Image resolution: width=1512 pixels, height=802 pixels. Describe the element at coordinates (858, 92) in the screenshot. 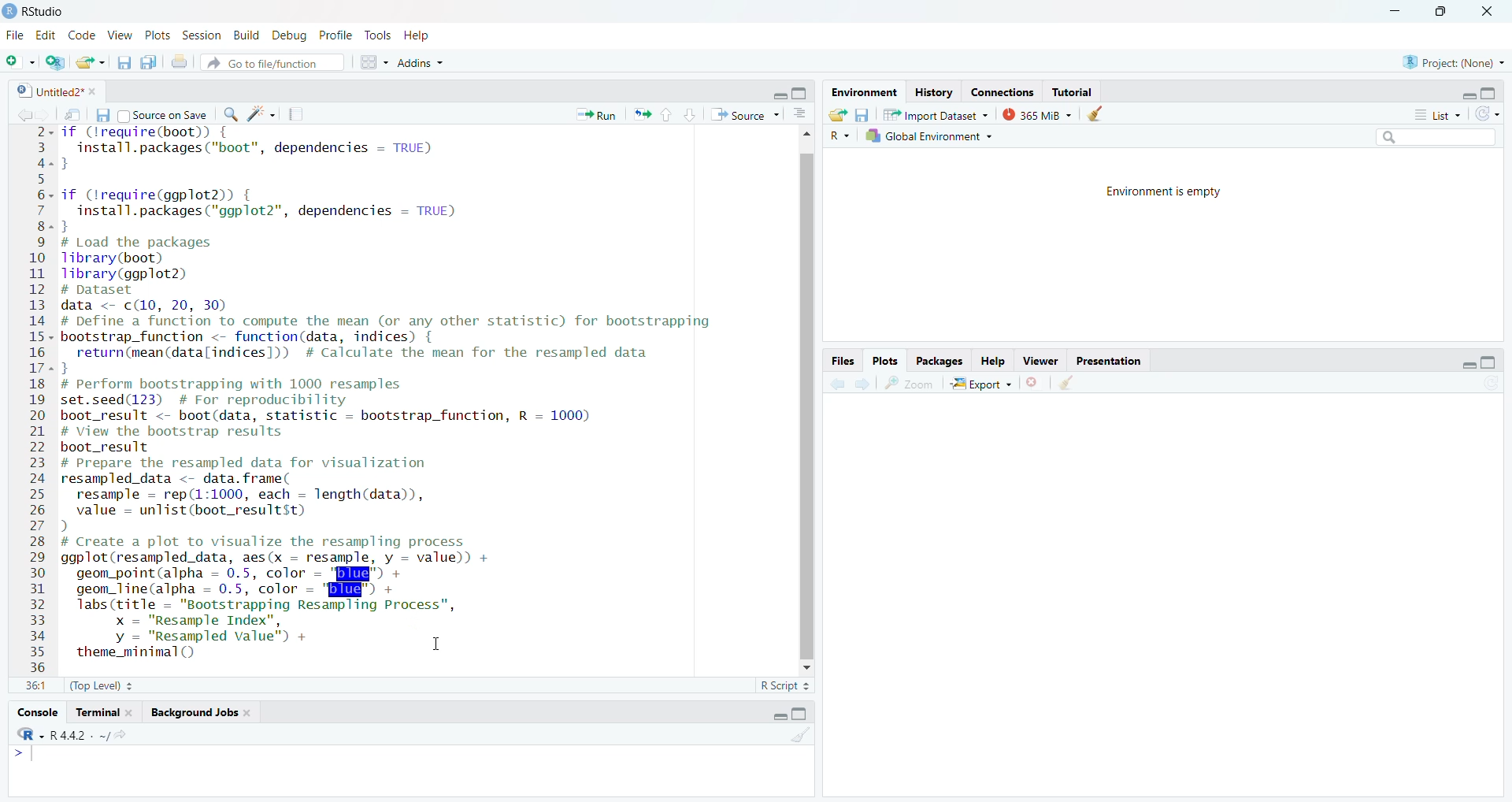

I see `Environment` at that location.